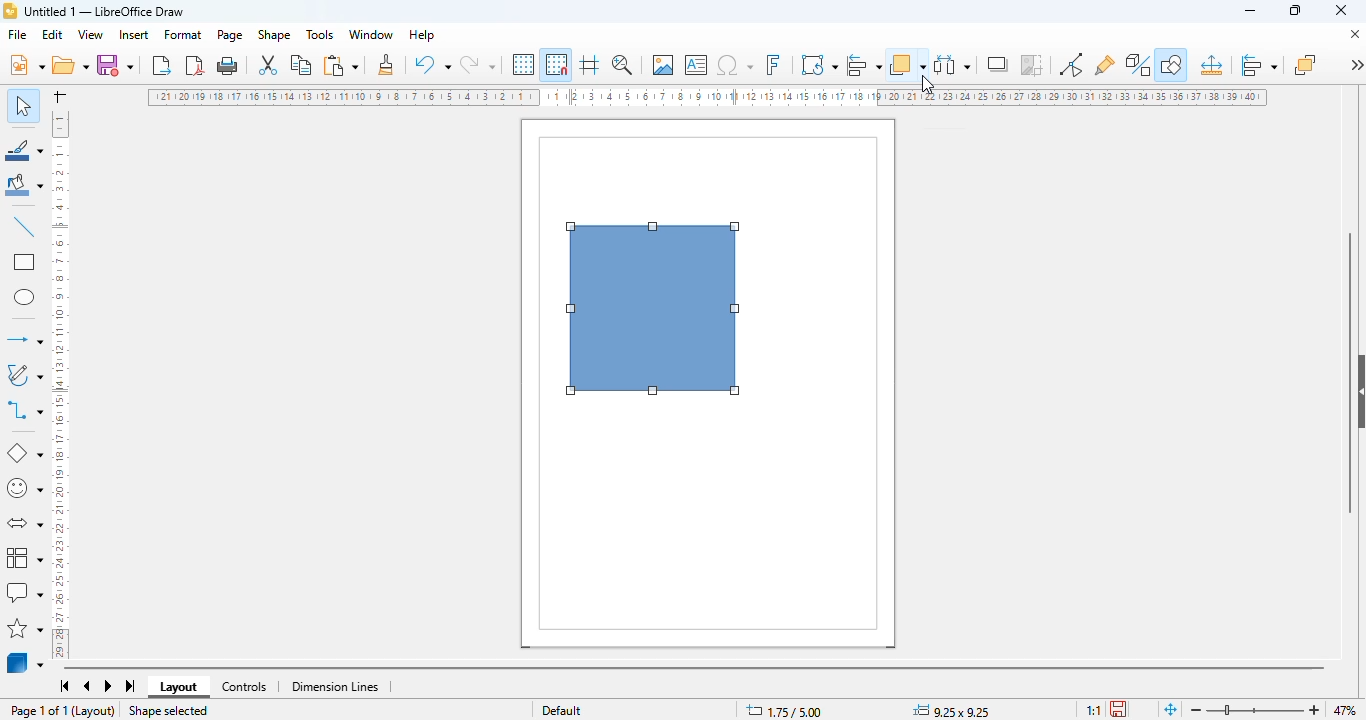 This screenshot has width=1366, height=720. I want to click on connectors, so click(25, 410).